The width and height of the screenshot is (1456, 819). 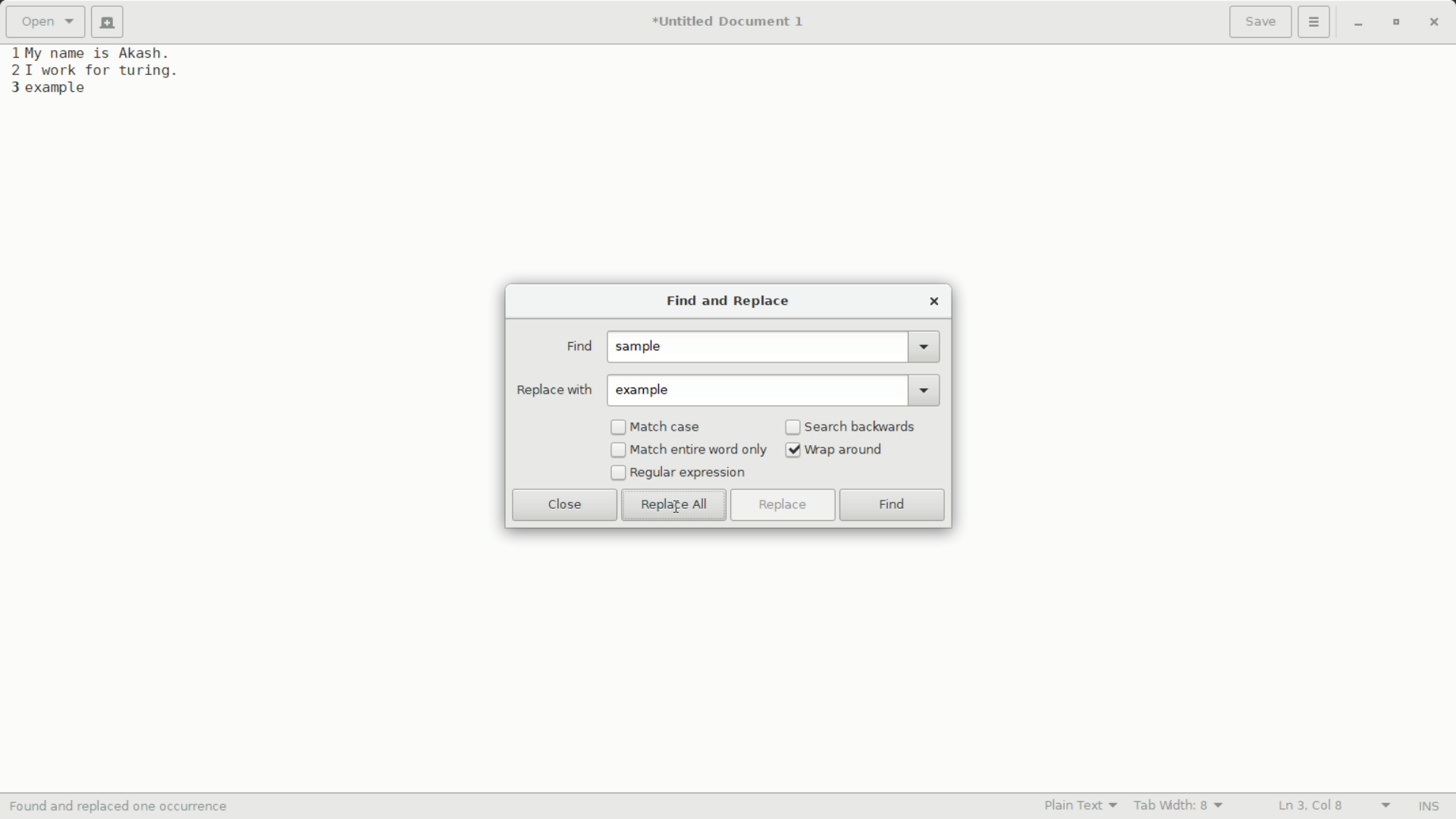 I want to click on checkbox, so click(x=617, y=473).